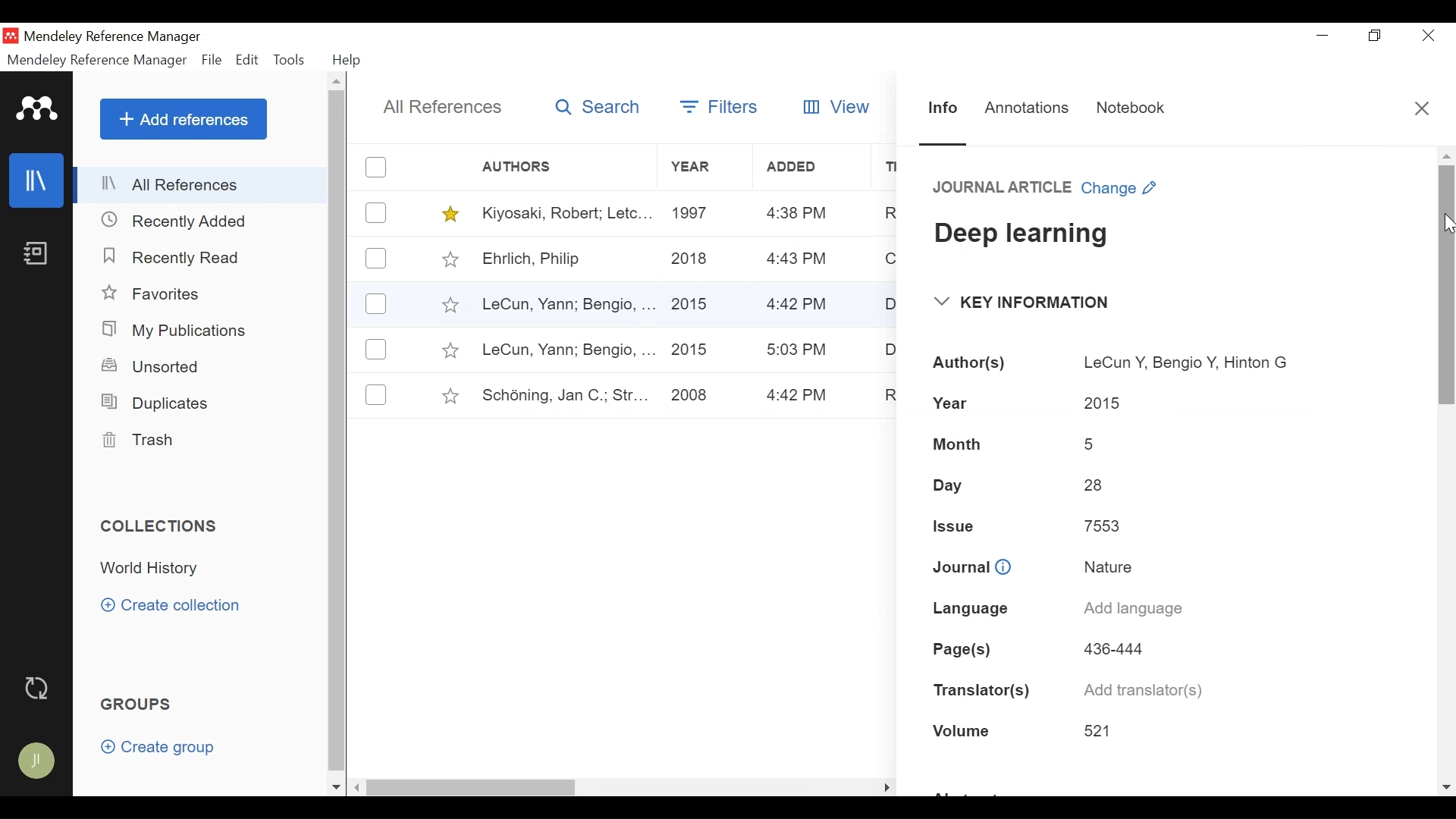 The image size is (1456, 819). What do you see at coordinates (162, 295) in the screenshot?
I see `Favorites` at bounding box center [162, 295].